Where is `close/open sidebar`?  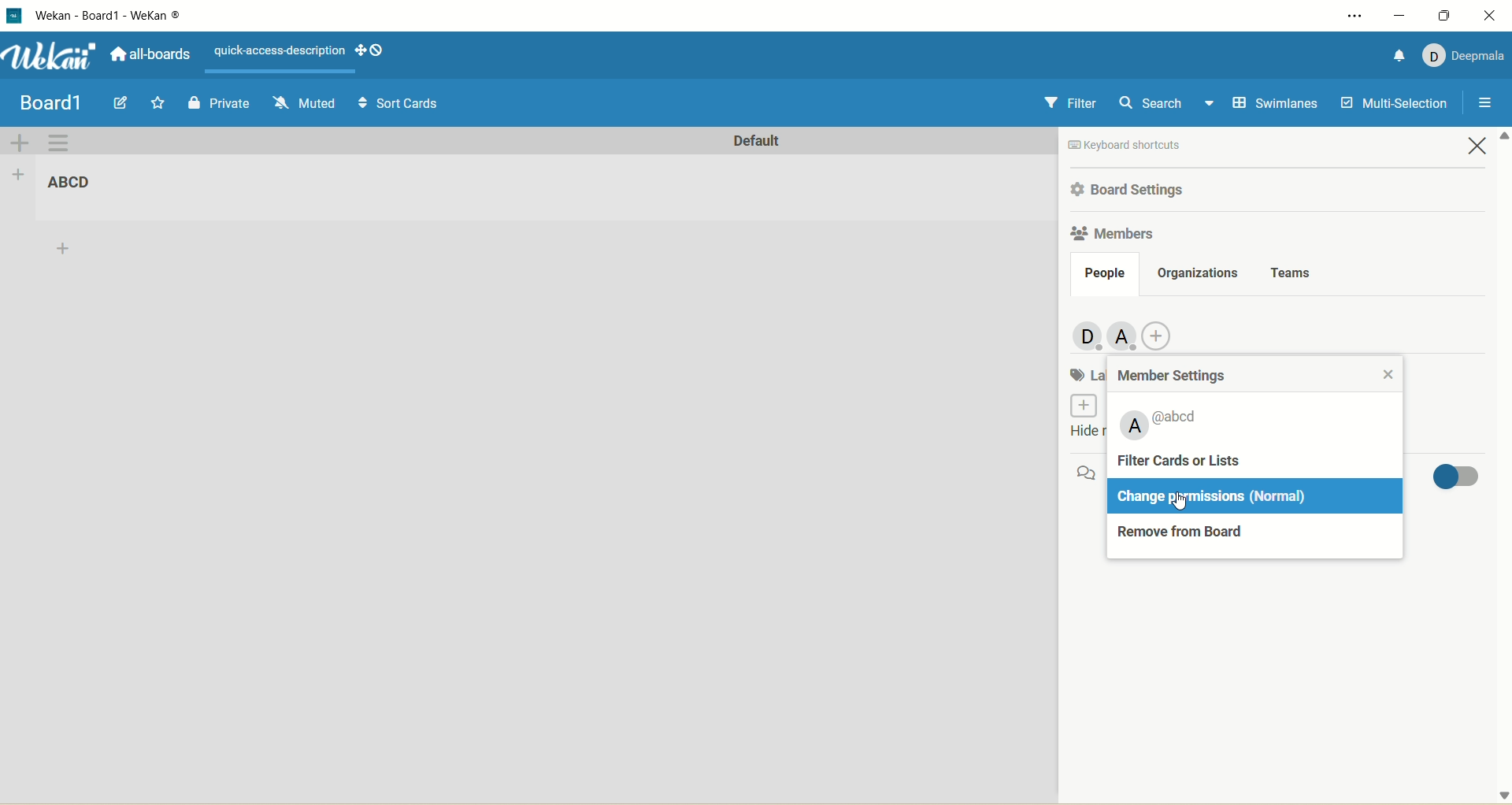
close/open sidebar is located at coordinates (1483, 106).